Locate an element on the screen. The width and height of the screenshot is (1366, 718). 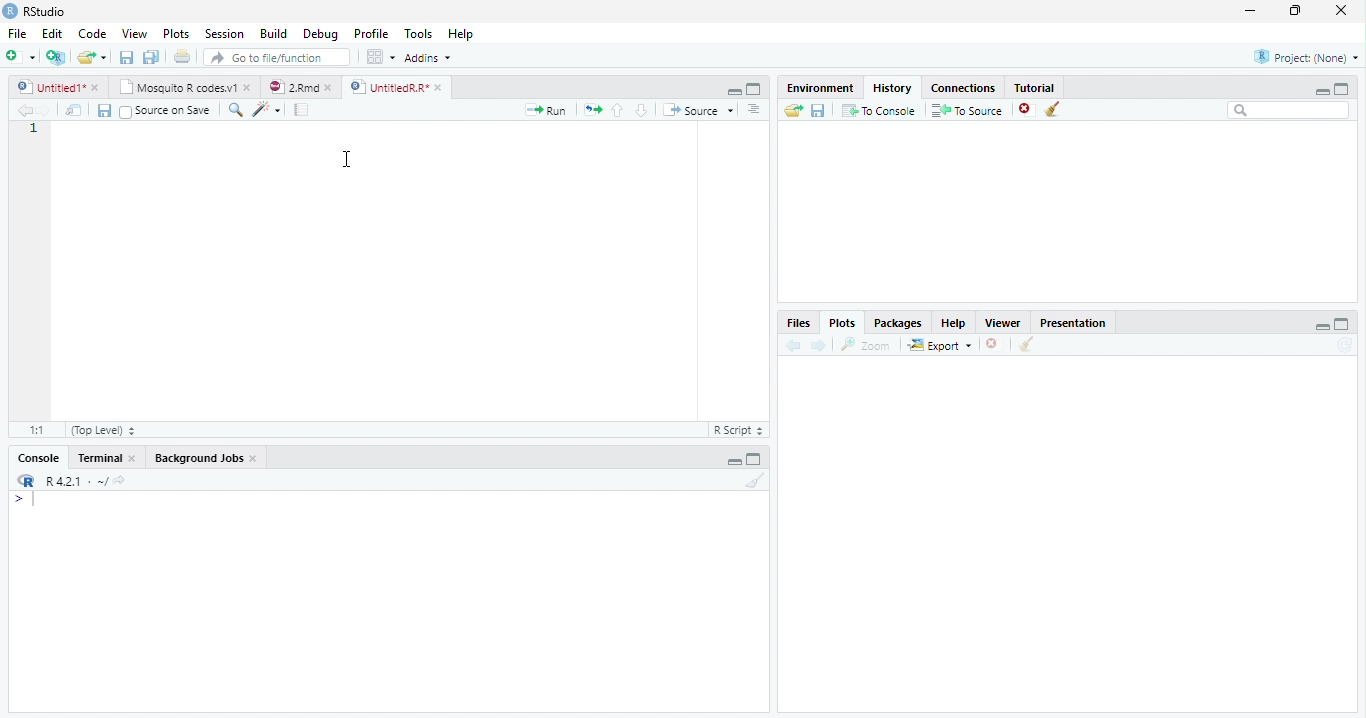
Print is located at coordinates (182, 57).